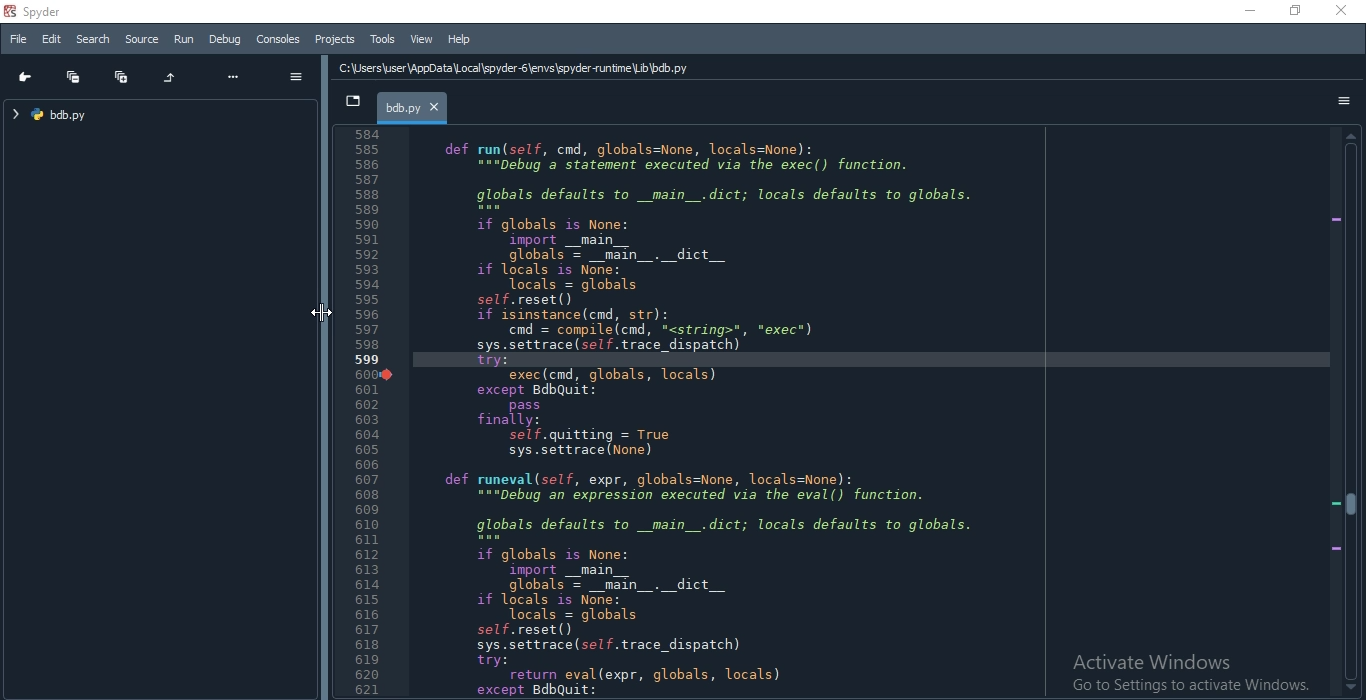 The image size is (1366, 700). What do you see at coordinates (26, 77) in the screenshot?
I see `Go to cursor position` at bounding box center [26, 77].